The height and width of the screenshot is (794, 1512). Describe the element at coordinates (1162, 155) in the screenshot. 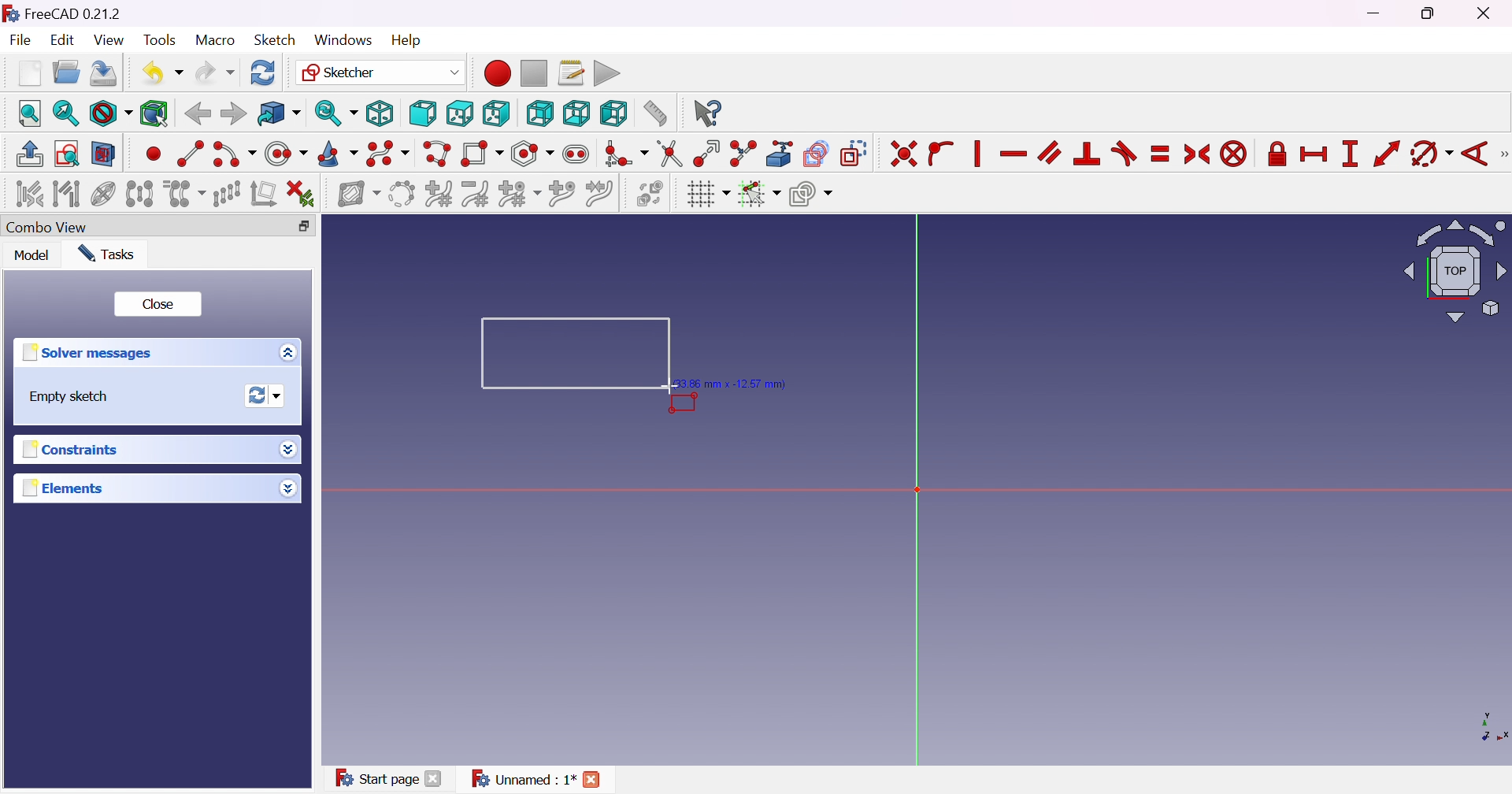

I see `Constrain equal` at that location.